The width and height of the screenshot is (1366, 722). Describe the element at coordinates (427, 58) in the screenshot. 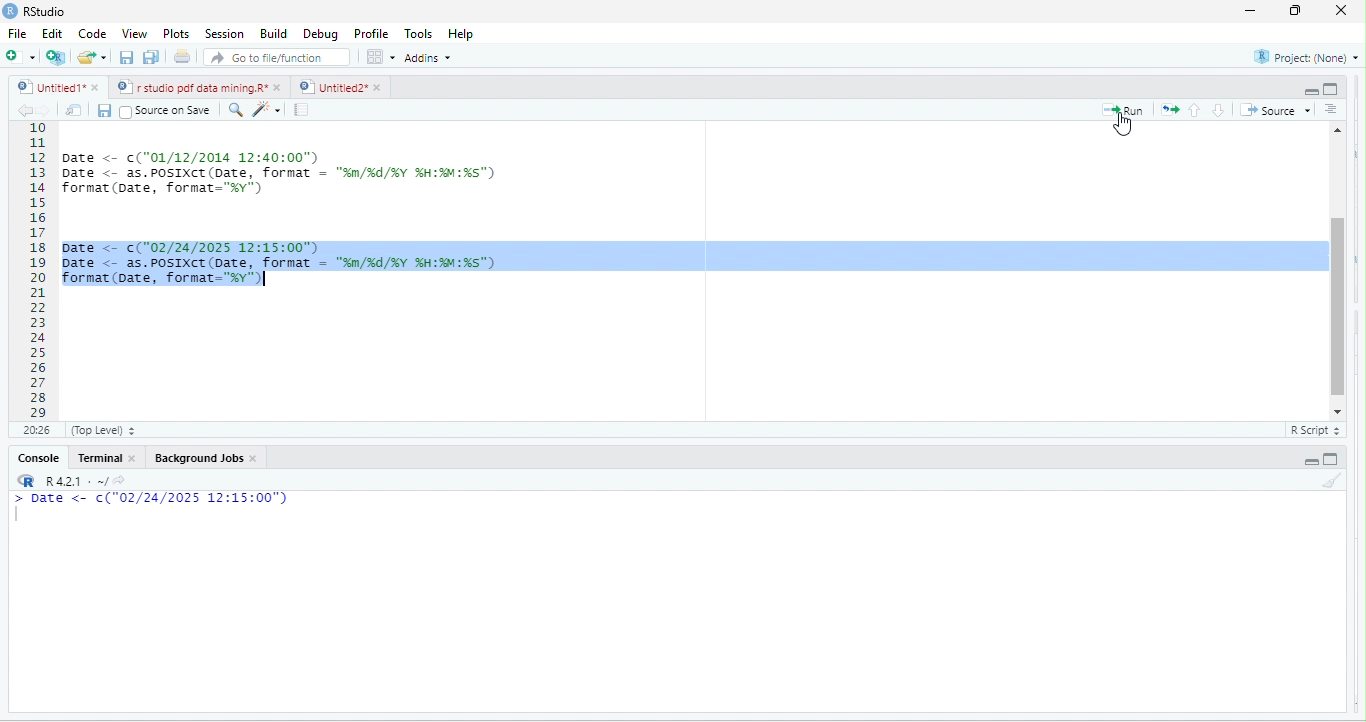

I see `addins` at that location.